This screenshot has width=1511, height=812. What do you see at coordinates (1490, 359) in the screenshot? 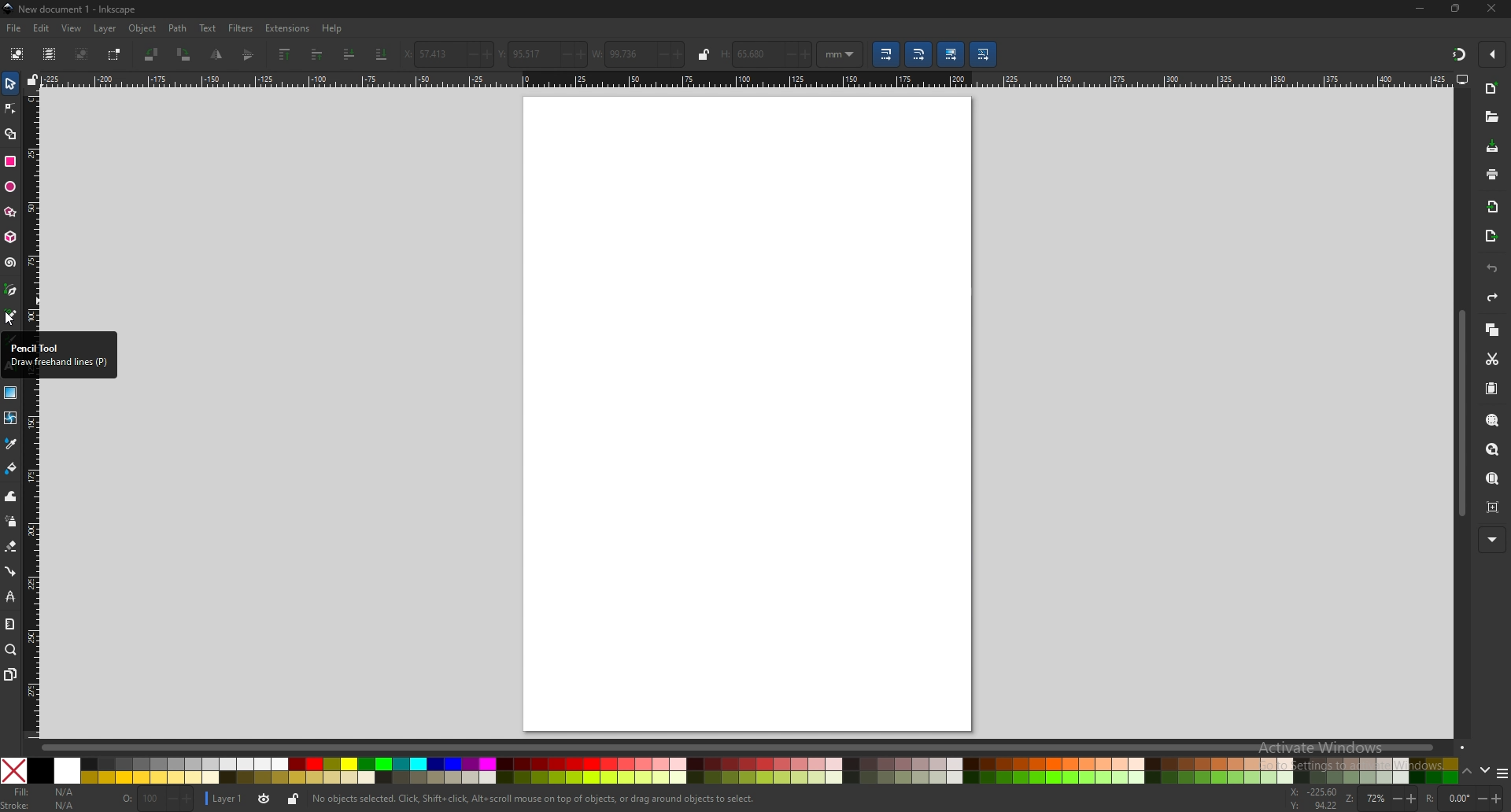
I see `cut` at bounding box center [1490, 359].